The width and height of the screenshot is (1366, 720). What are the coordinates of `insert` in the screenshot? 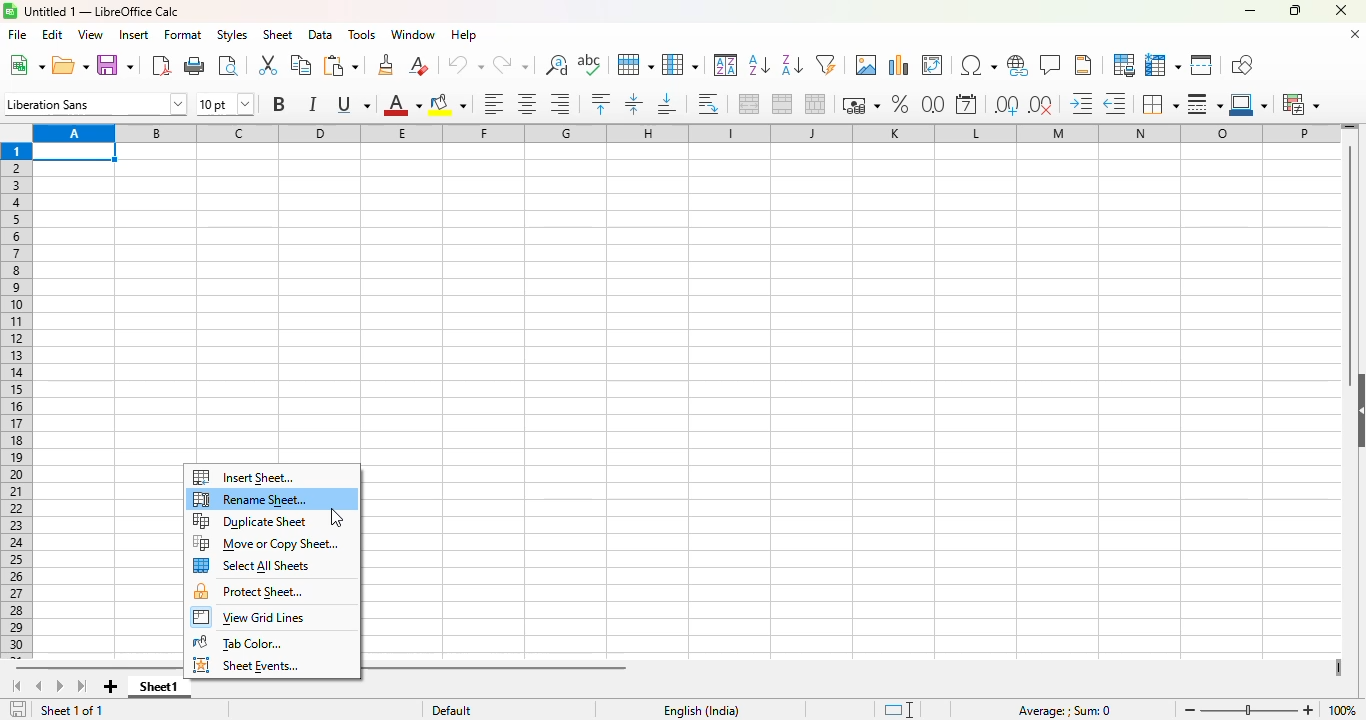 It's located at (133, 35).